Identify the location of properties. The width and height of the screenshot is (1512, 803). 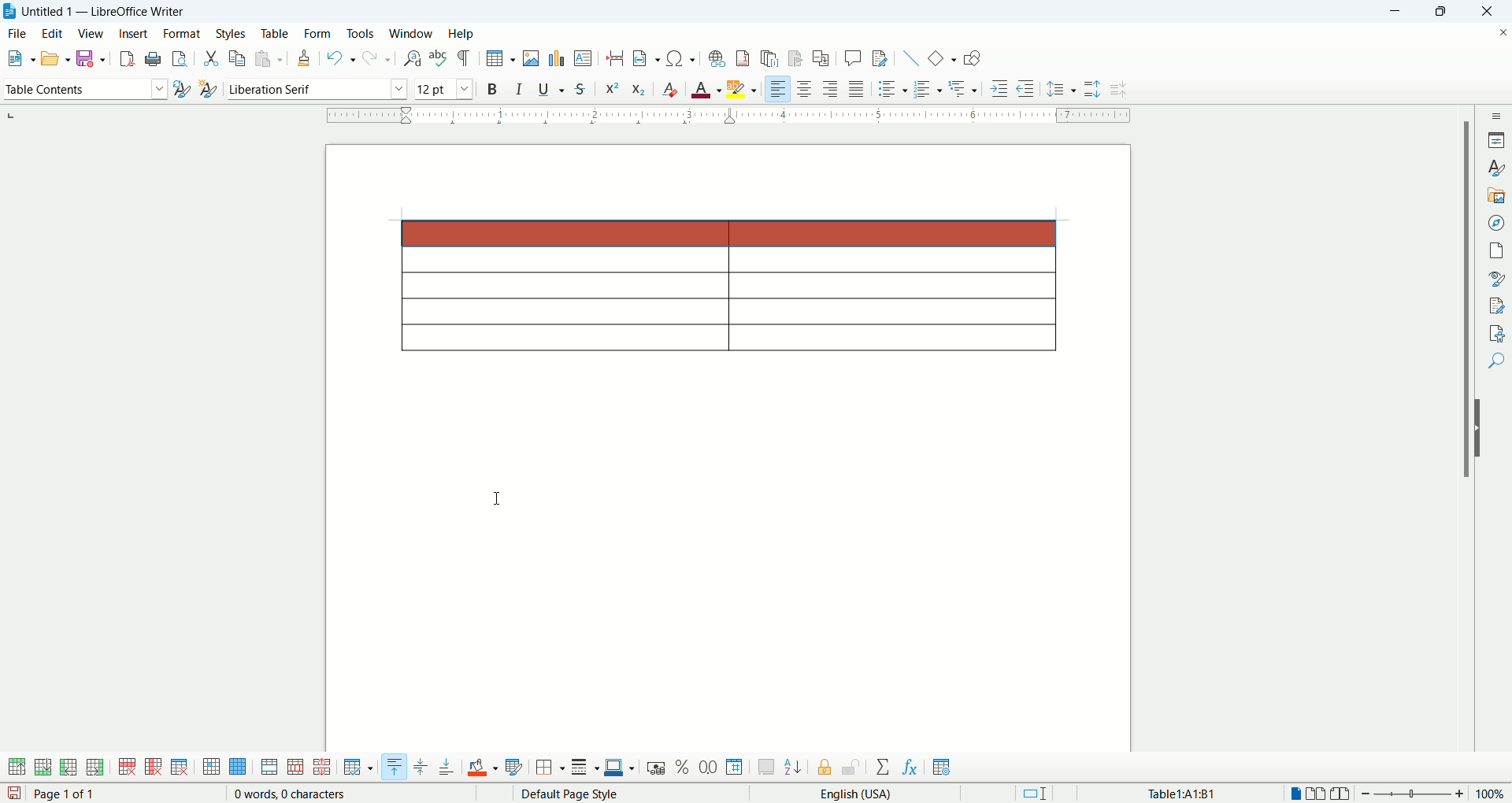
(1496, 139).